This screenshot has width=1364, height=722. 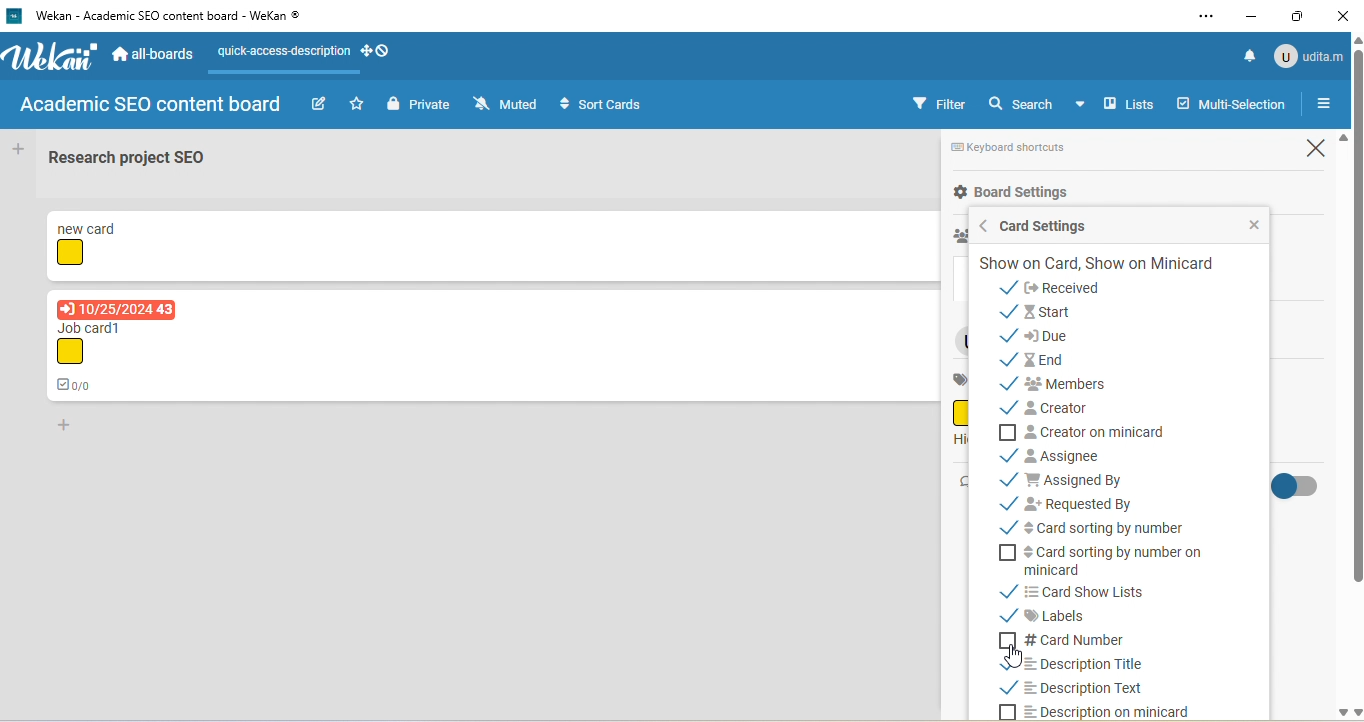 I want to click on line appeared, so click(x=293, y=73).